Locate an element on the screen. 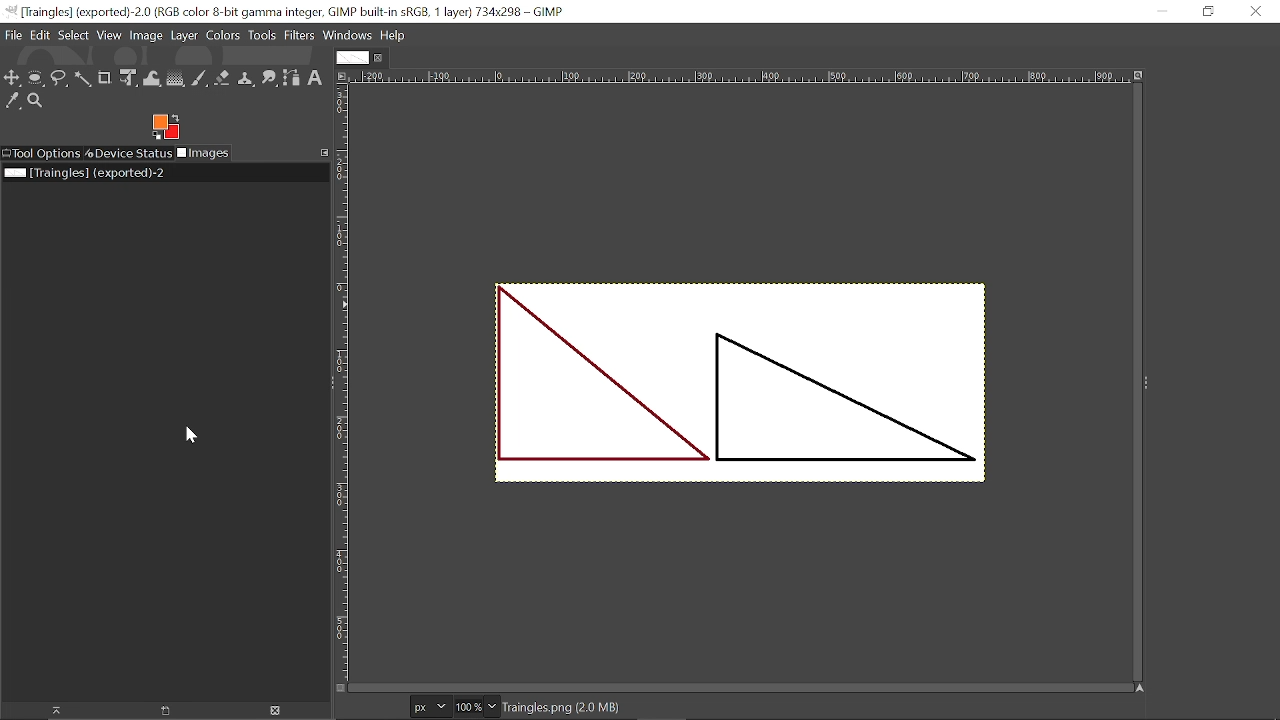 This screenshot has width=1280, height=720. Help is located at coordinates (393, 35).